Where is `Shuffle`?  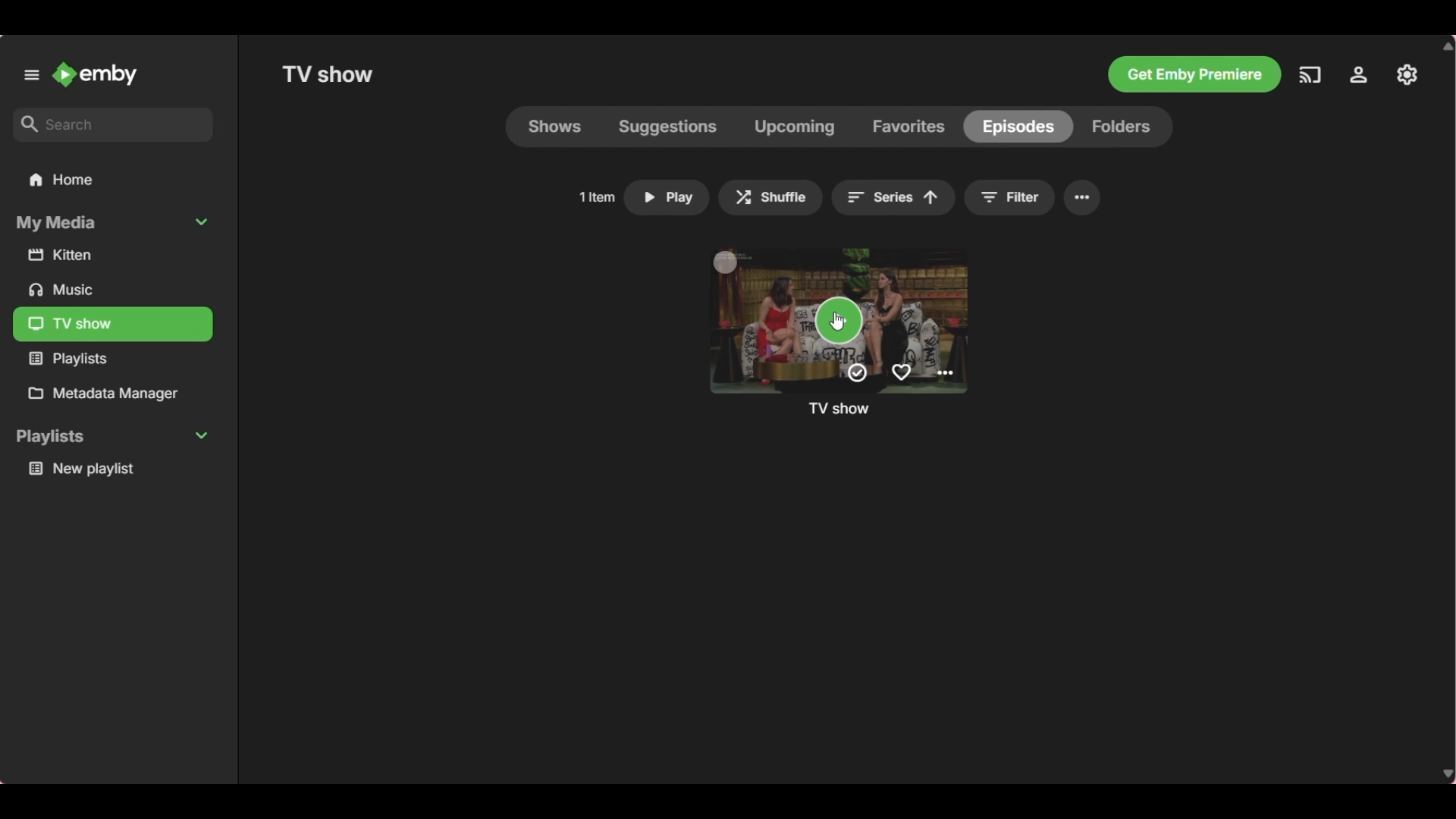 Shuffle is located at coordinates (771, 198).